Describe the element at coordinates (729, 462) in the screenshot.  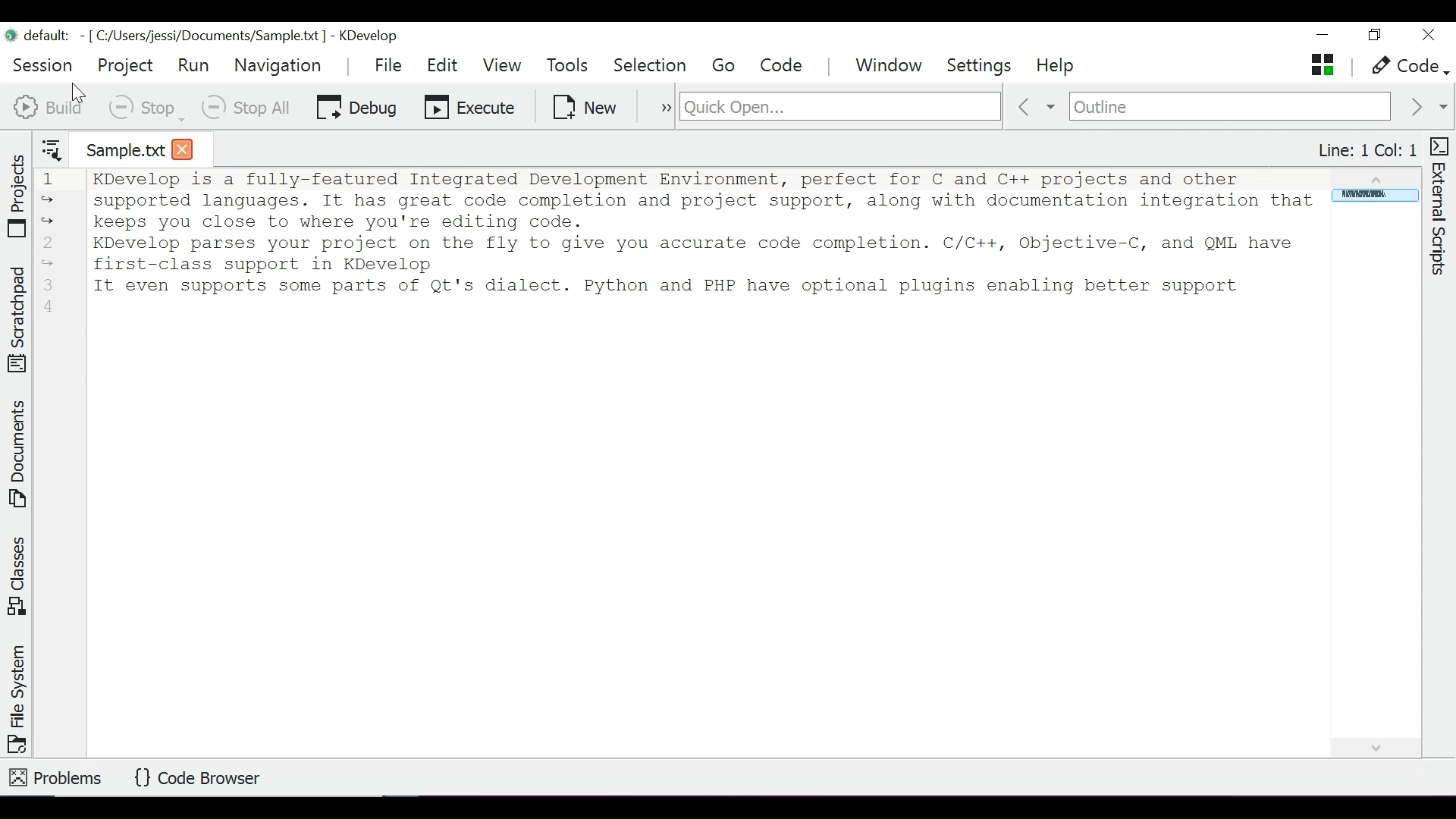
I see `Text Entry Pane - KDevelop is a fully-featured Integrated Development Environment, perfect for C and C++ projects and other supported languages. It has great code completion and project support, along with documentation integration that keeps you close to where you're editing code. KDevelop parses your project on the fly to give you accurate code completion. C/C++, Objective-C, and QML have first-class support in KDevelop It even supports some parts of it's dialect. Python and PHP have optional plugins enabling better support` at that location.